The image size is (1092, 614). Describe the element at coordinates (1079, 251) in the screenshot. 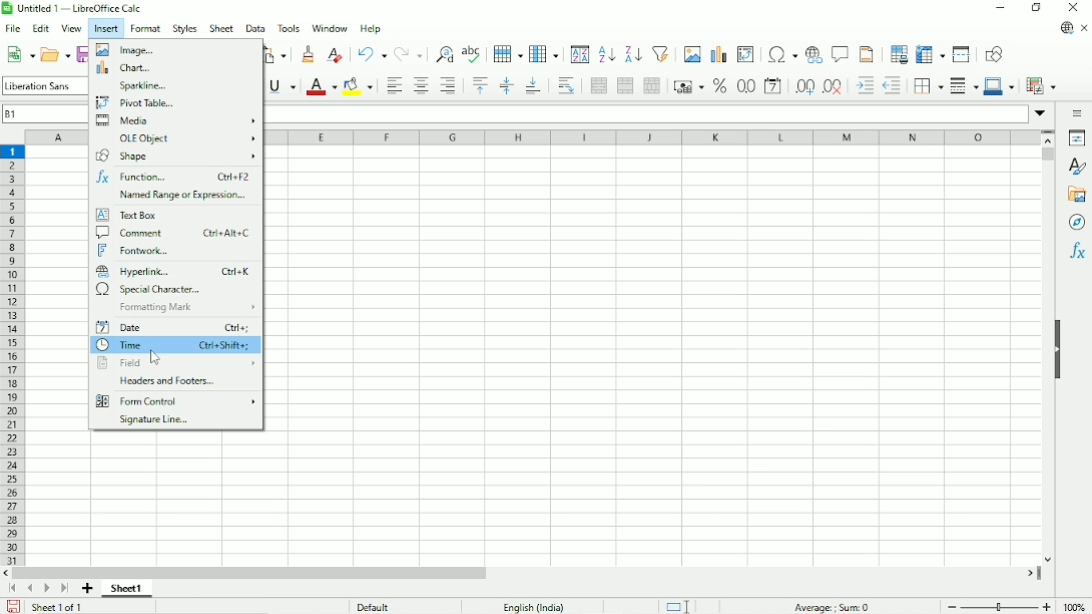

I see `Functions` at that location.